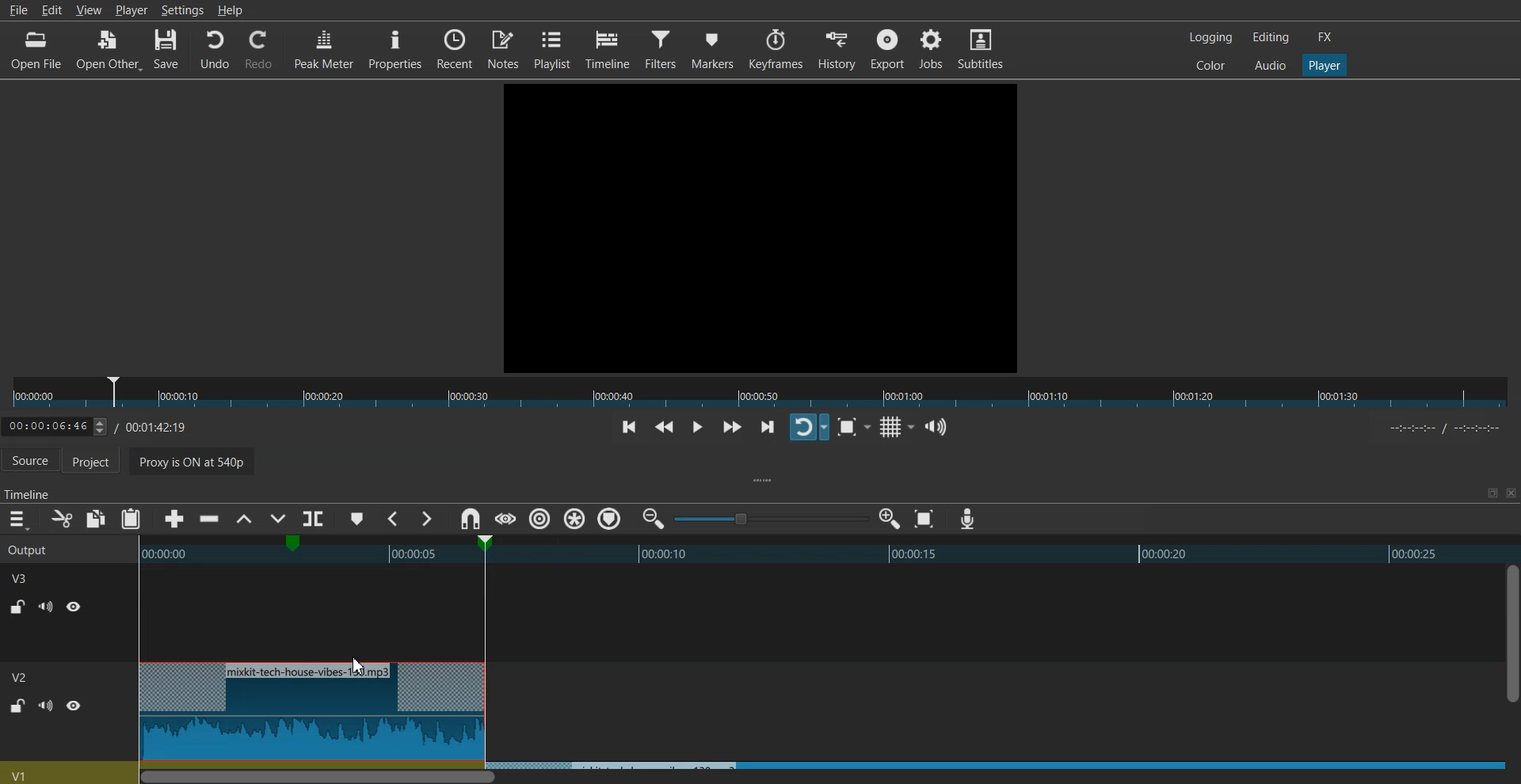 This screenshot has width=1521, height=784. I want to click on Player, so click(132, 10).